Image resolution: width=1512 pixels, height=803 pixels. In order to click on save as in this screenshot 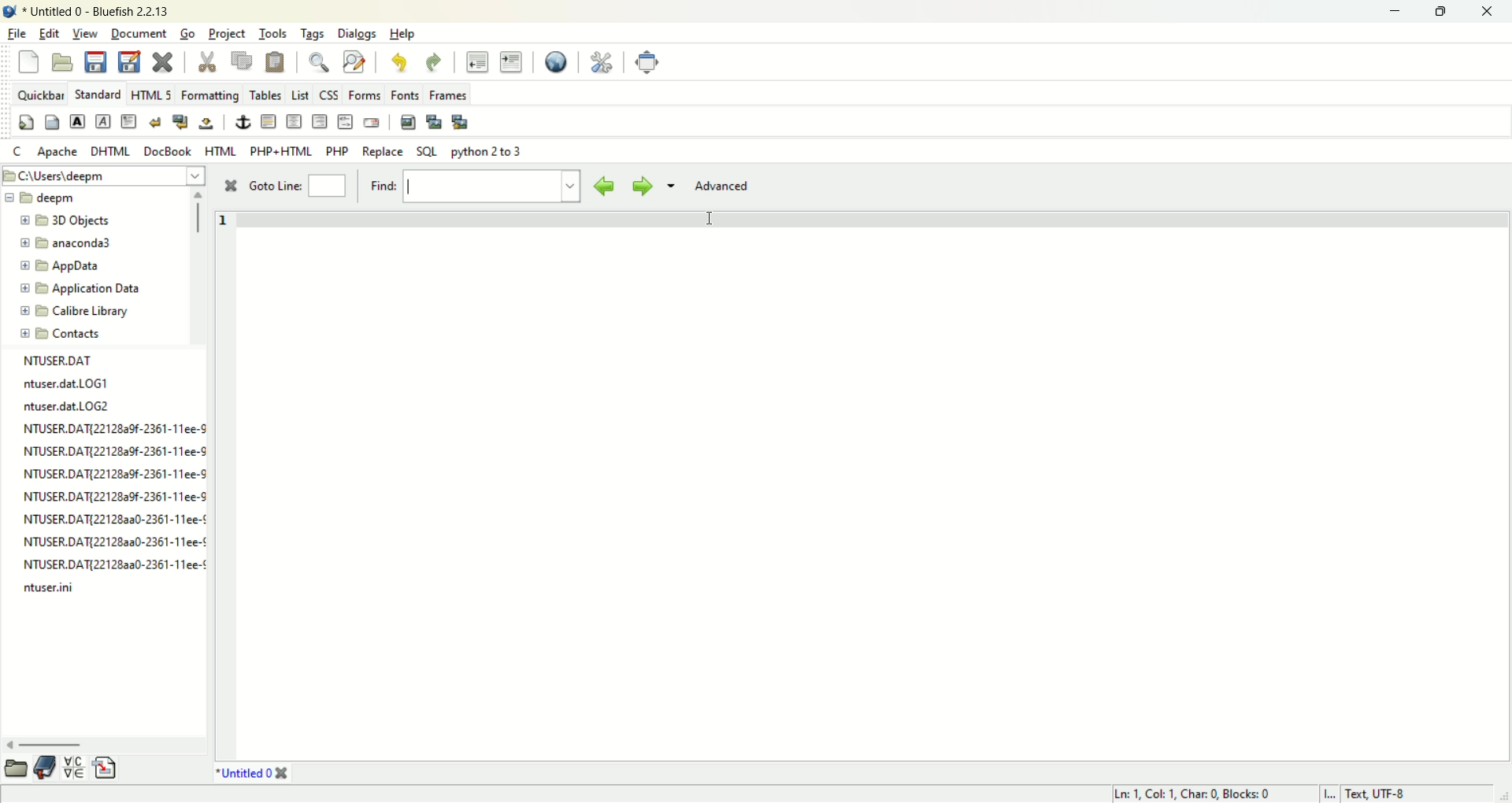, I will do `click(128, 62)`.